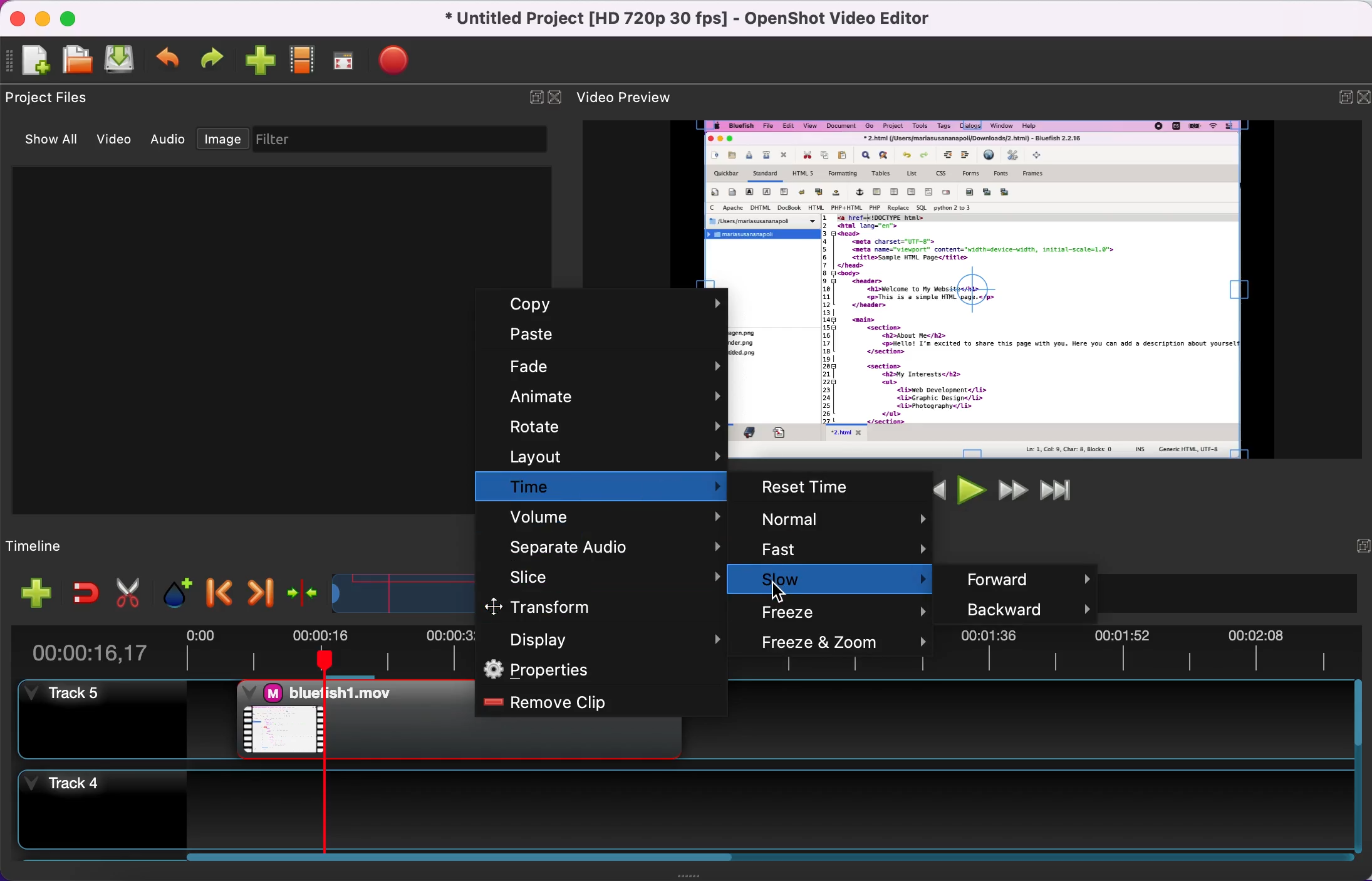 This screenshot has height=881, width=1372. Describe the element at coordinates (256, 590) in the screenshot. I see `next marker` at that location.